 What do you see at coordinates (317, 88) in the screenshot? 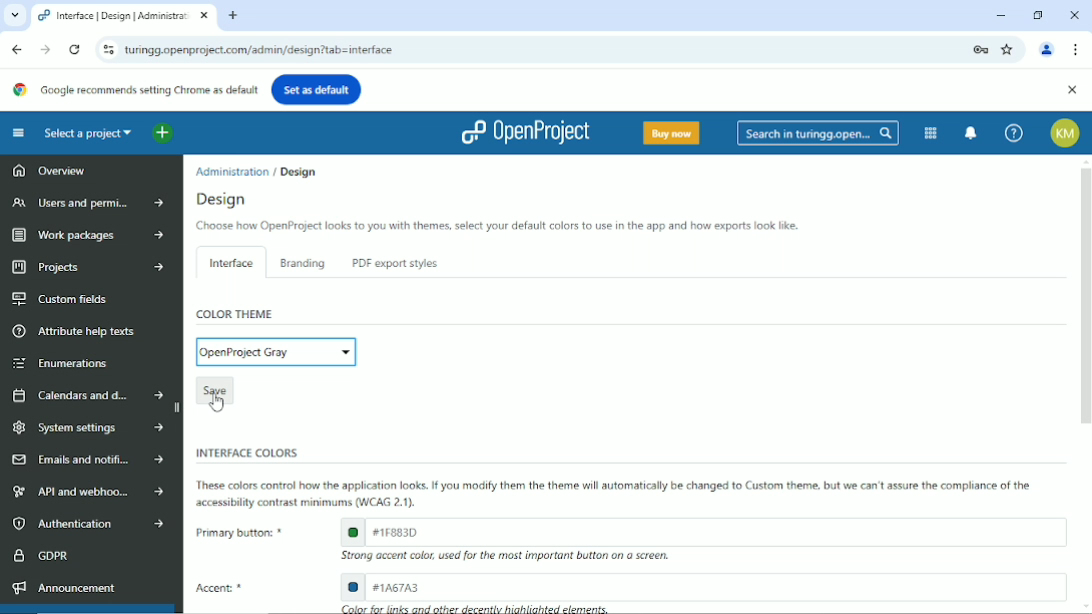
I see `Set as default ` at bounding box center [317, 88].